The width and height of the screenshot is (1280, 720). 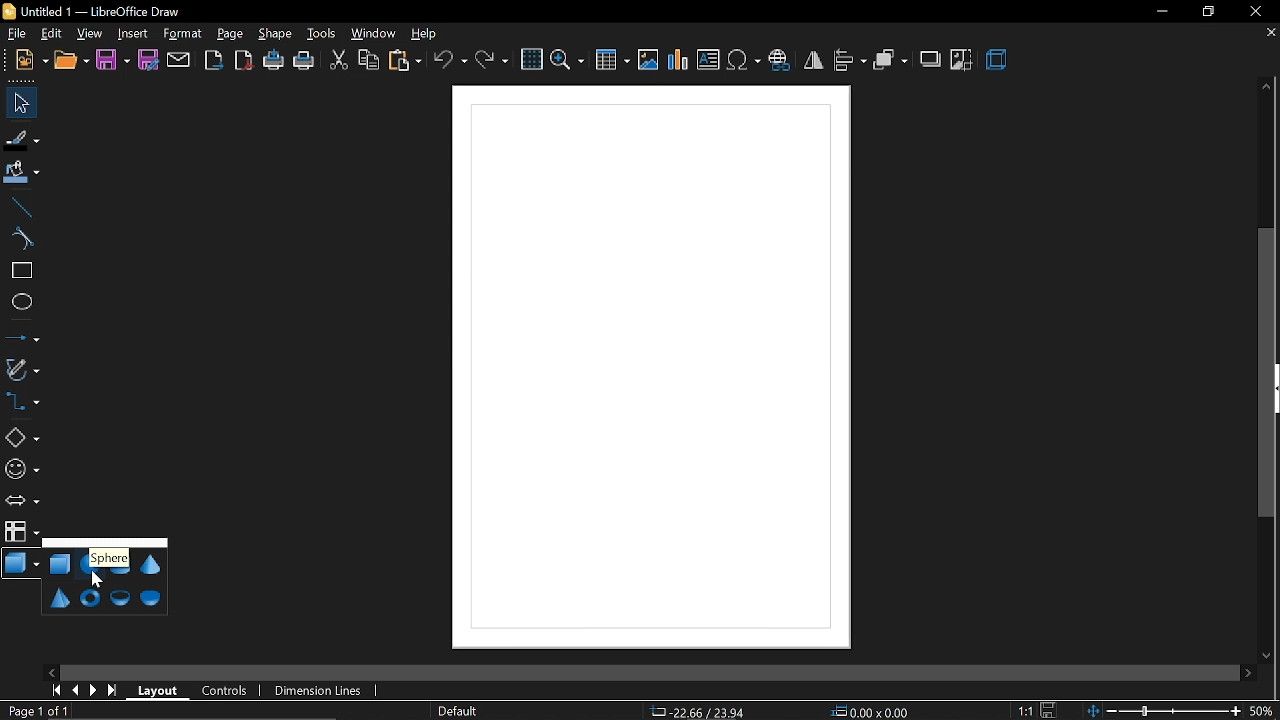 I want to click on torus, so click(x=90, y=597).